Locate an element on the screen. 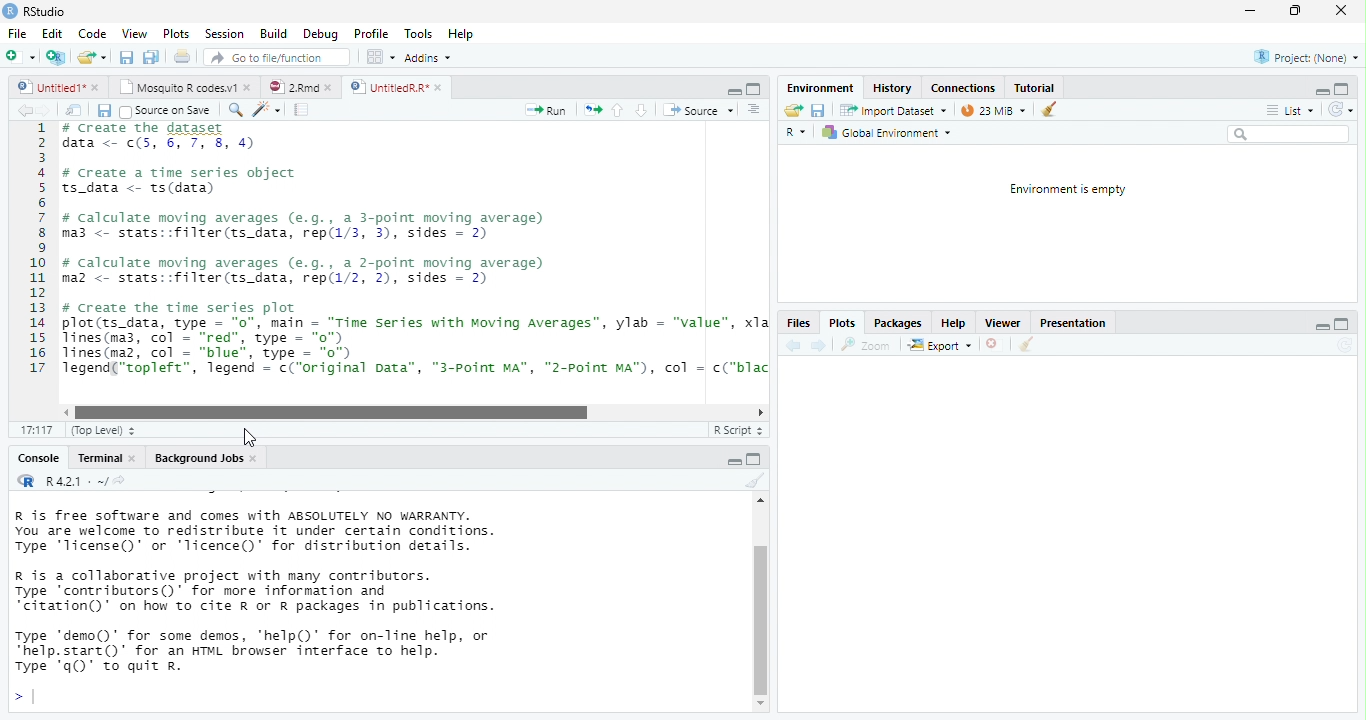  clear is located at coordinates (1025, 346).